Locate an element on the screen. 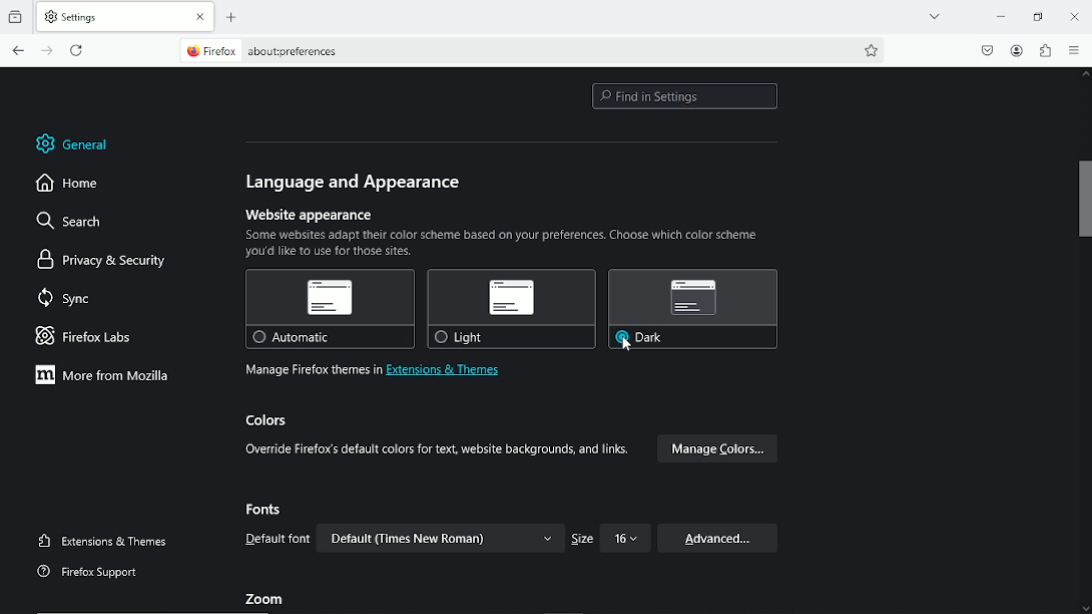  language and appeareance is located at coordinates (356, 182).